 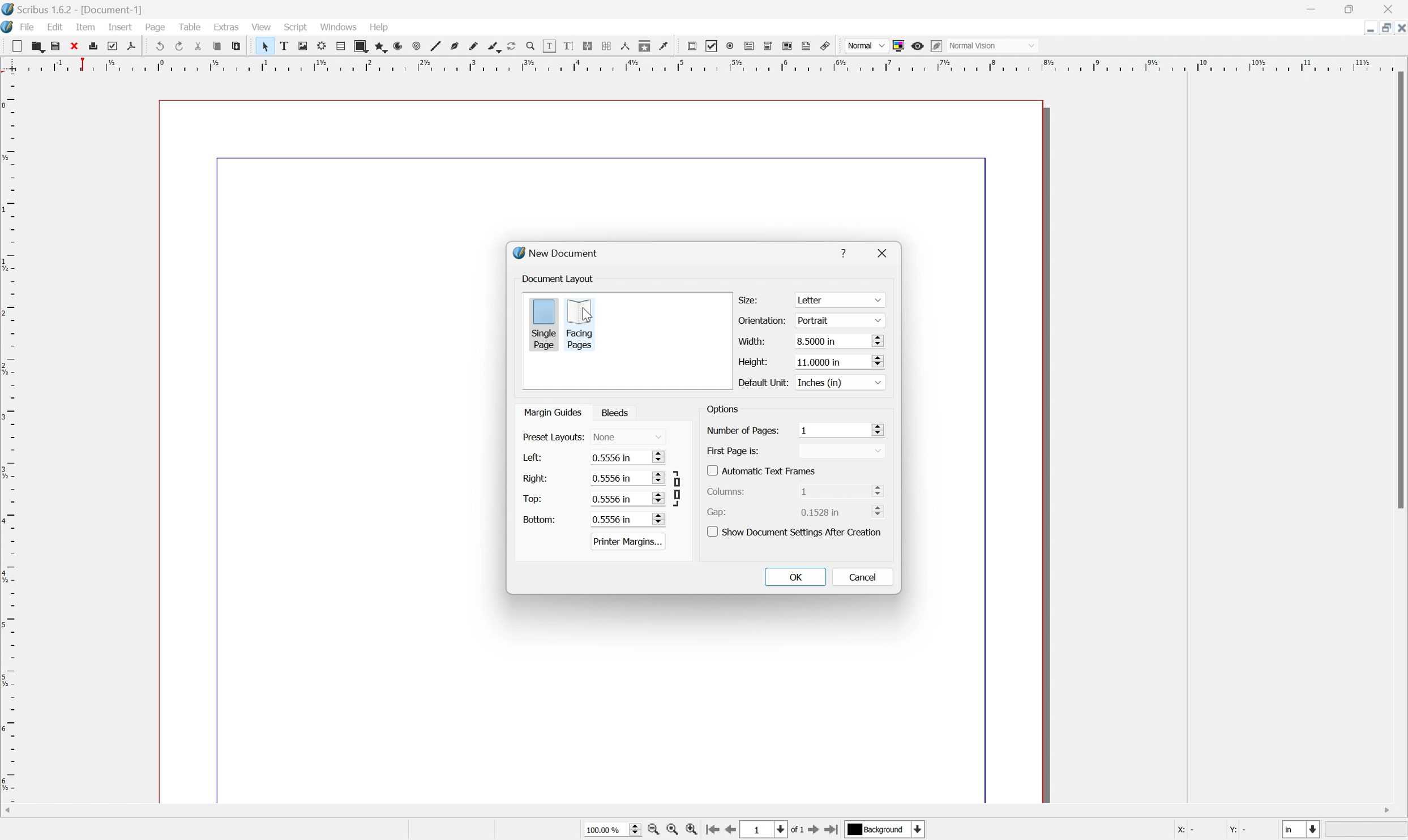 I want to click on Extras, so click(x=226, y=28).